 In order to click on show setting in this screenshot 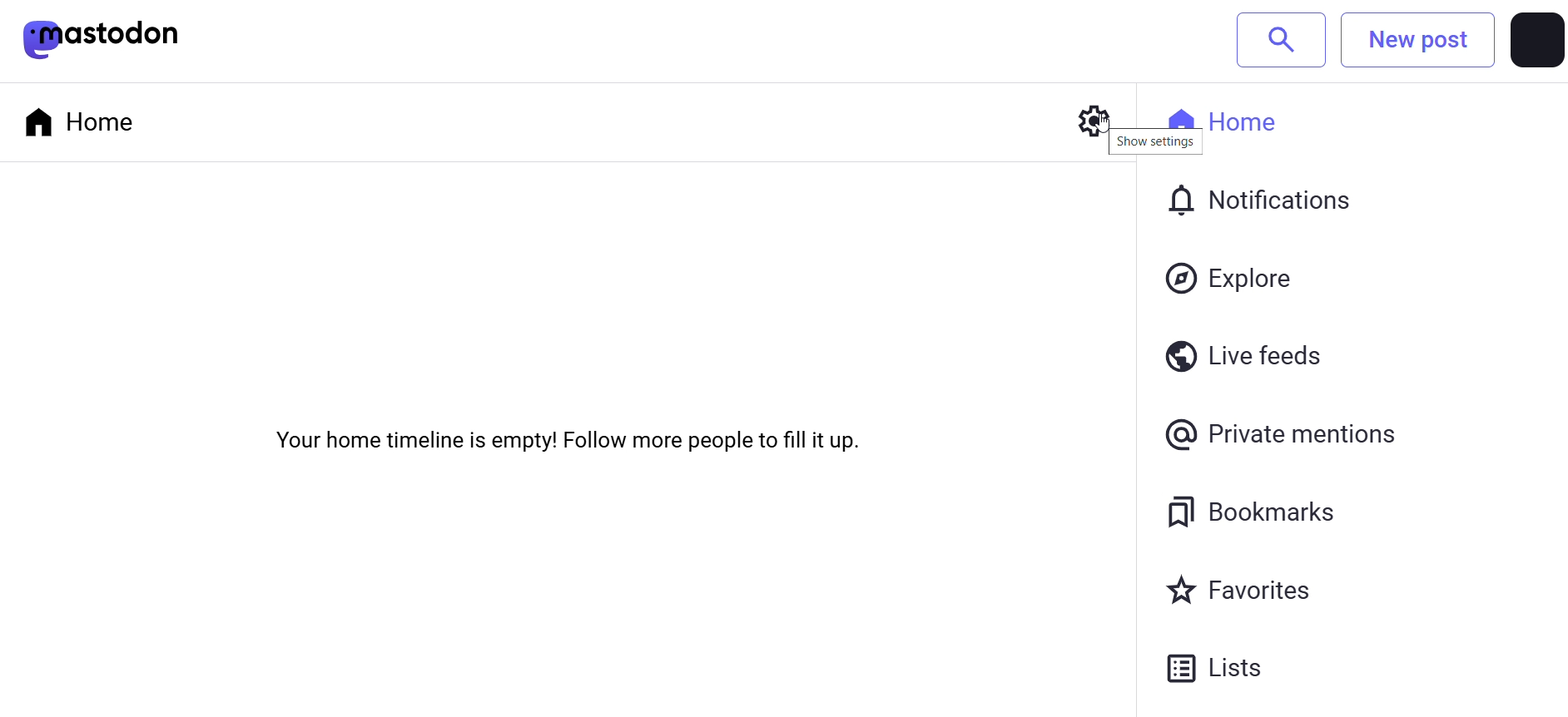, I will do `click(1158, 148)`.